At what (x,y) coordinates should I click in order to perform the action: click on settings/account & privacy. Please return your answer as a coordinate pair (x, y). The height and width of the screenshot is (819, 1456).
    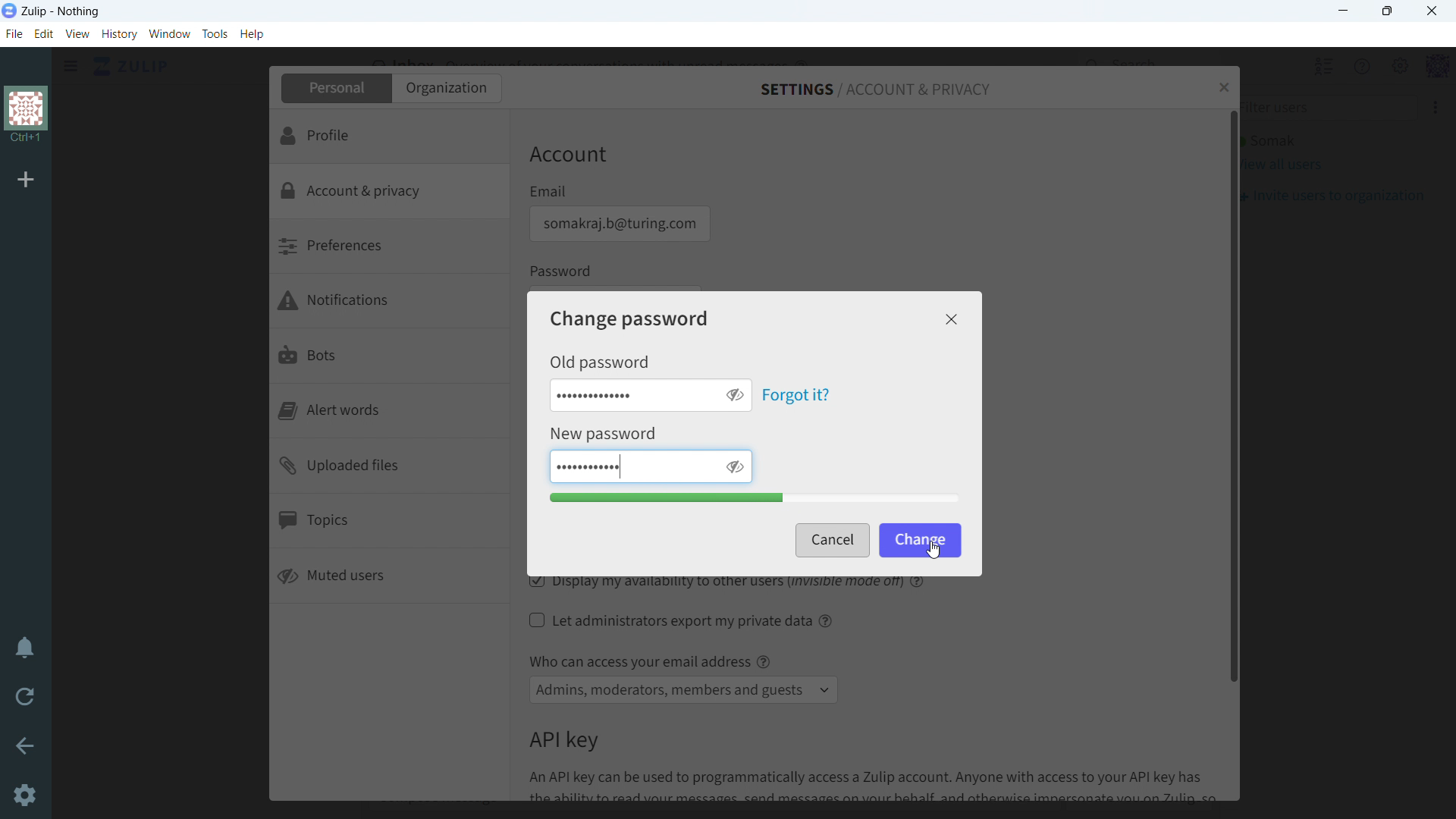
    Looking at the image, I should click on (876, 90).